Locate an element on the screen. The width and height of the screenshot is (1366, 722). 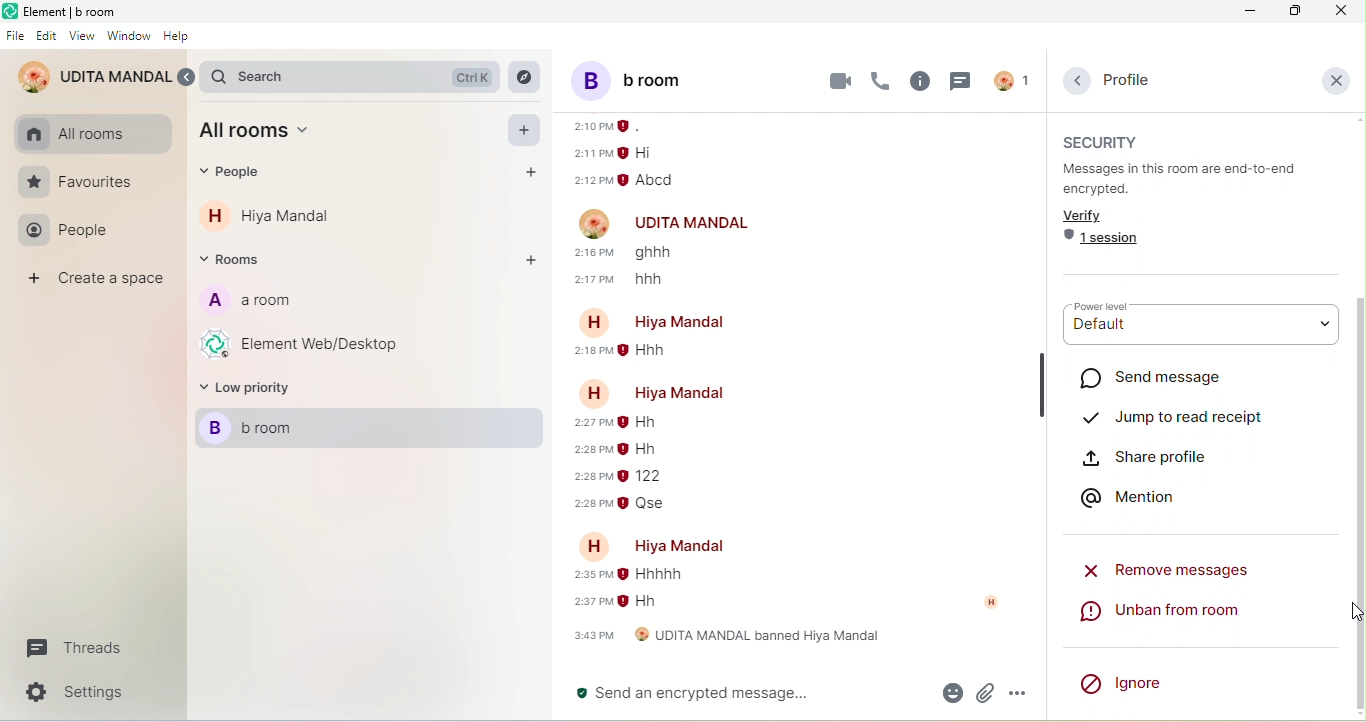
profile is located at coordinates (1124, 80).